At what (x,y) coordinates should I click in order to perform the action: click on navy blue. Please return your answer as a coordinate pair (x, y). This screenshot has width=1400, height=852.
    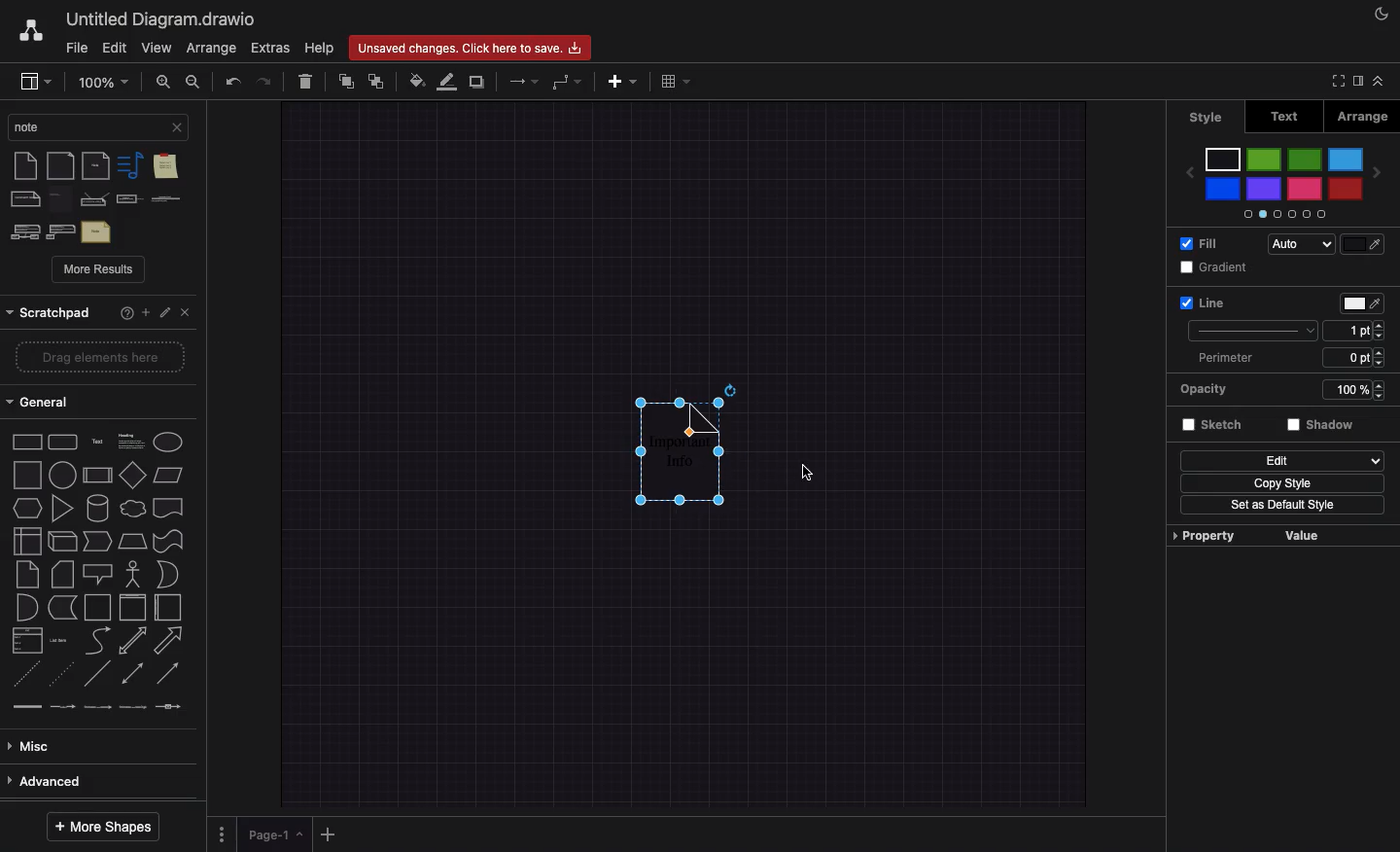
    Looking at the image, I should click on (1224, 190).